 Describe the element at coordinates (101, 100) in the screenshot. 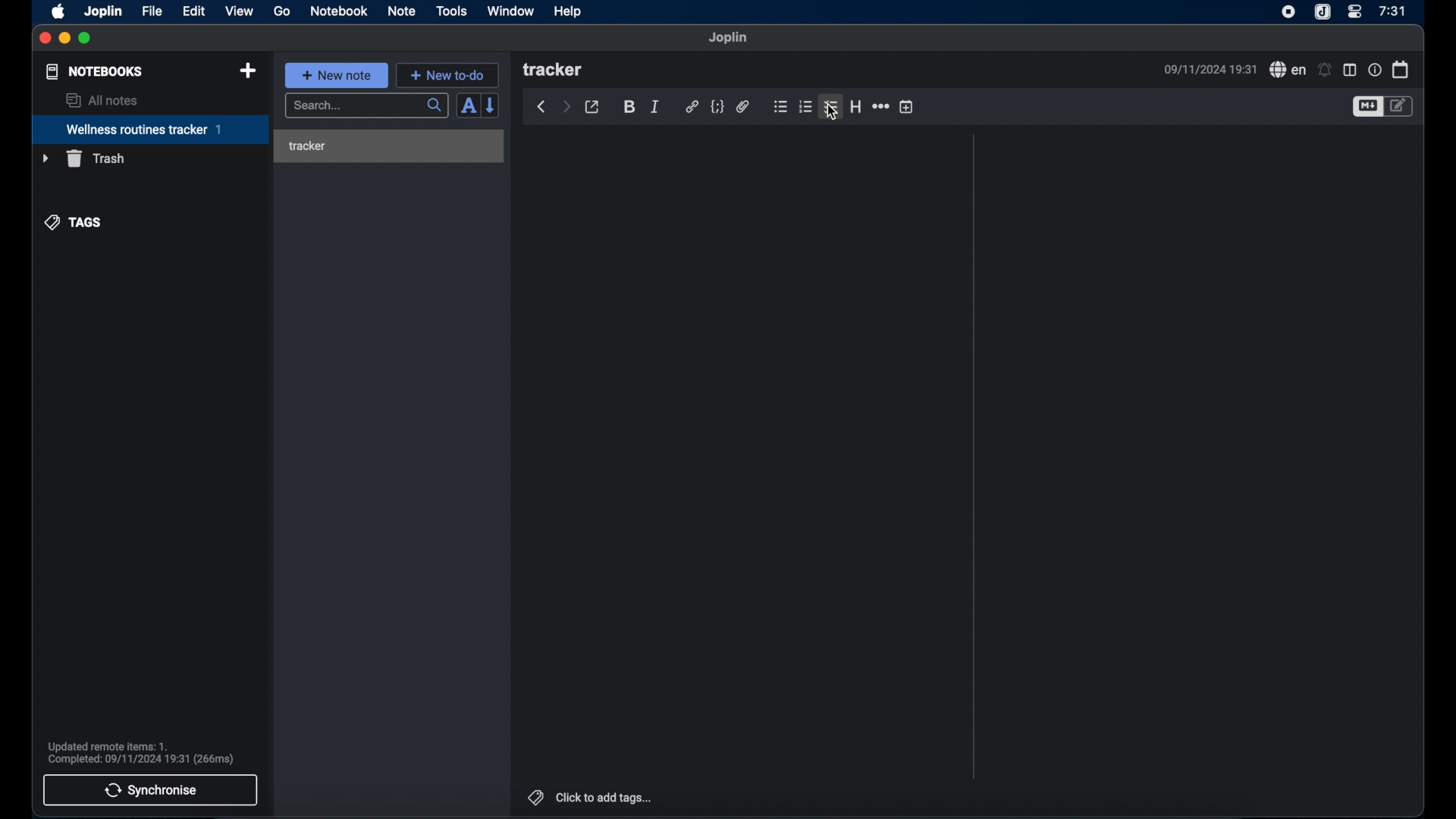

I see `all notes` at that location.